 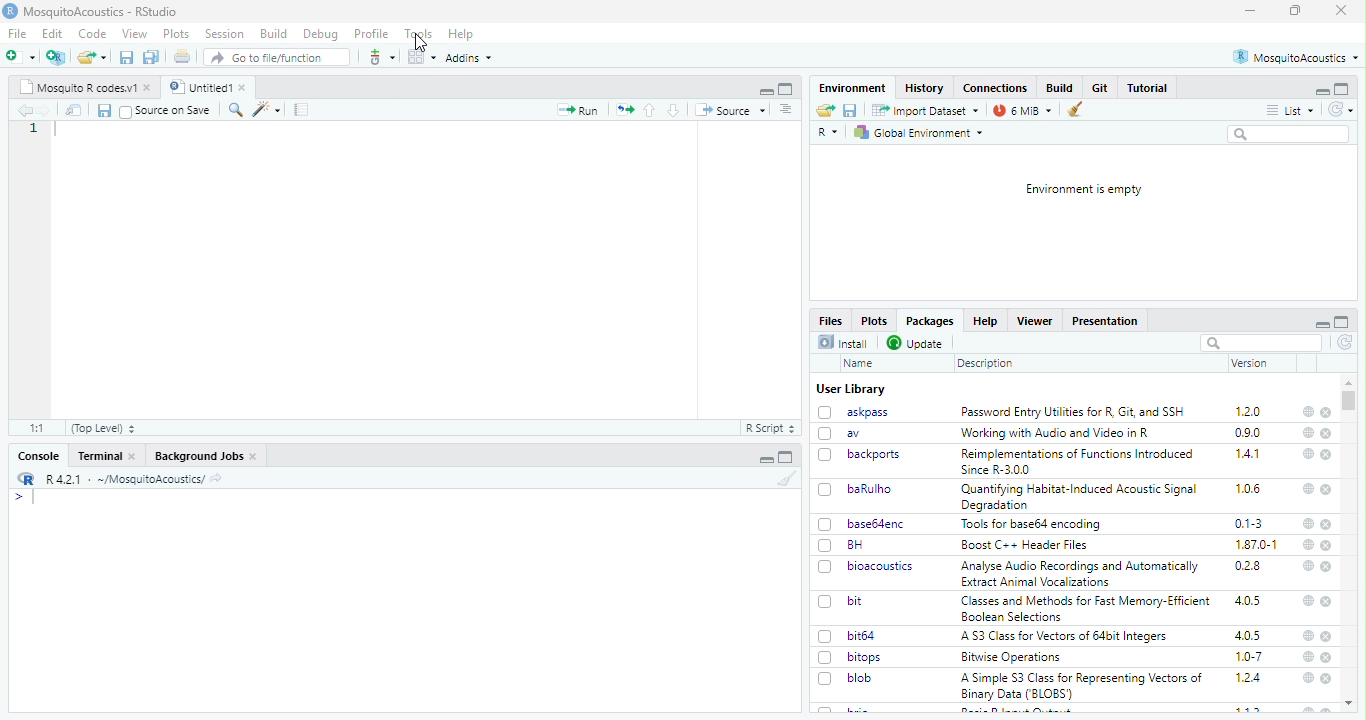 What do you see at coordinates (1342, 10) in the screenshot?
I see `close` at bounding box center [1342, 10].